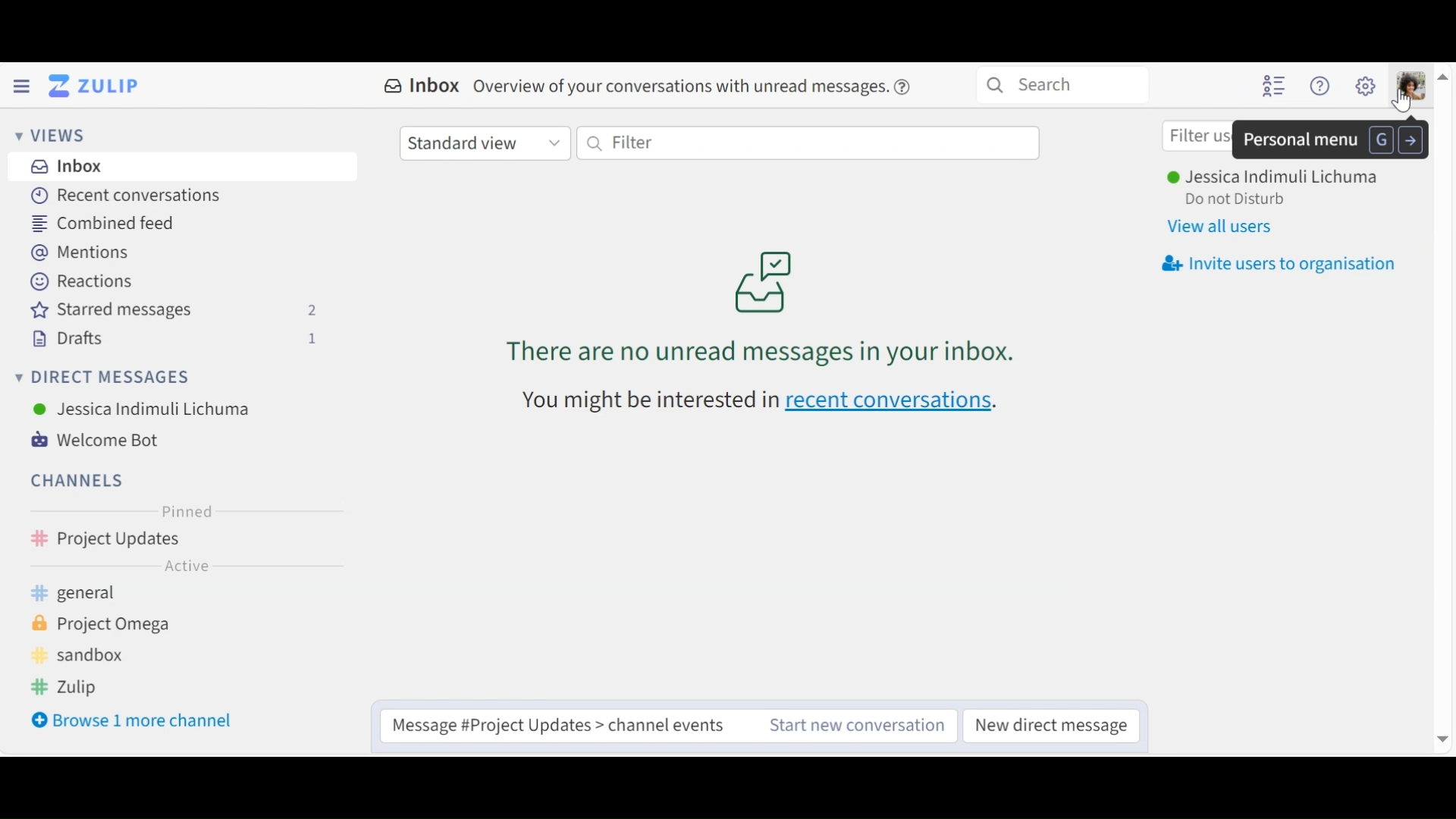 The image size is (1456, 819). I want to click on Pinned, so click(186, 513).